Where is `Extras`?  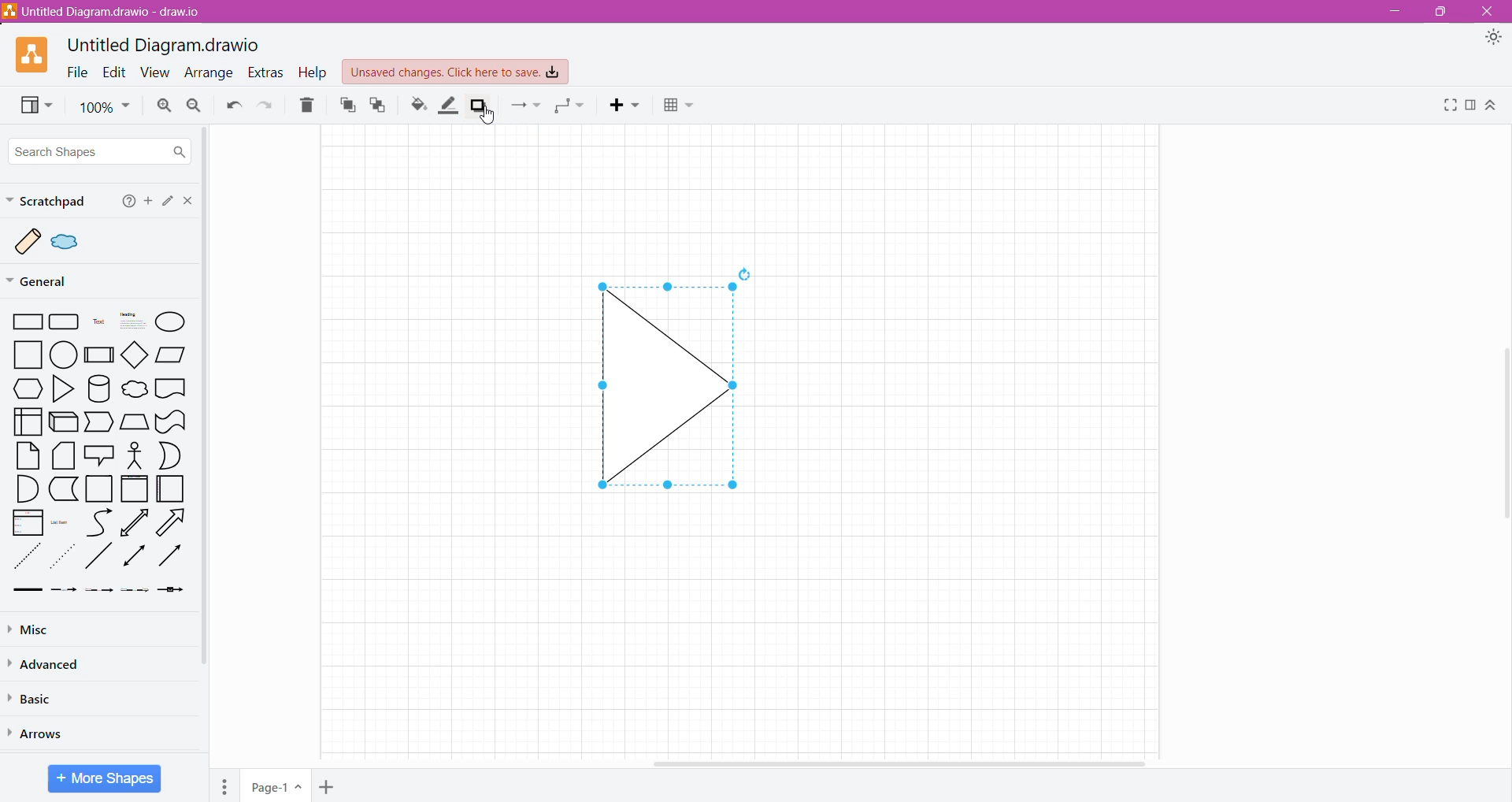
Extras is located at coordinates (269, 72).